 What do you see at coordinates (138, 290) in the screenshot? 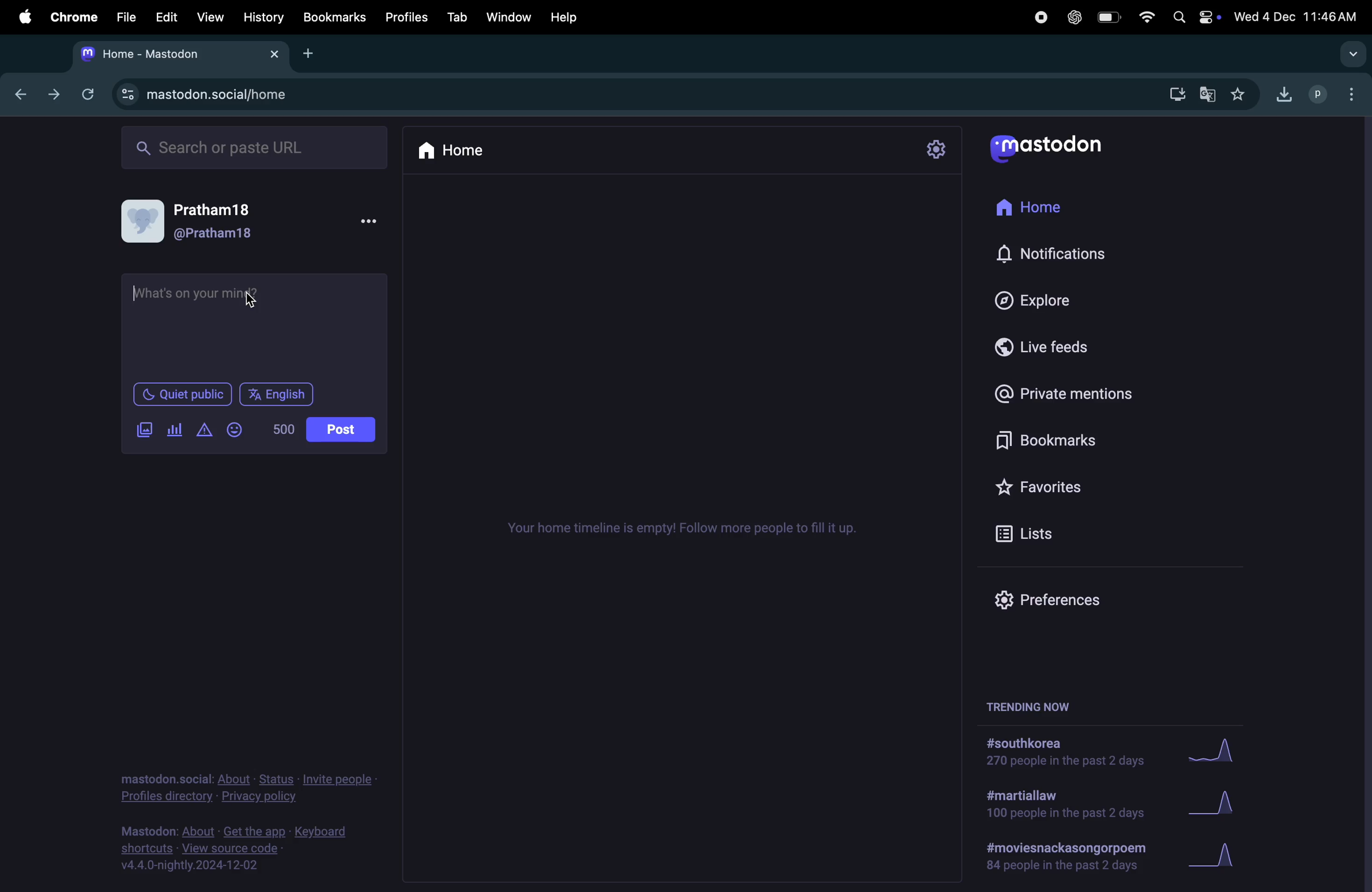
I see `cursor` at bounding box center [138, 290].